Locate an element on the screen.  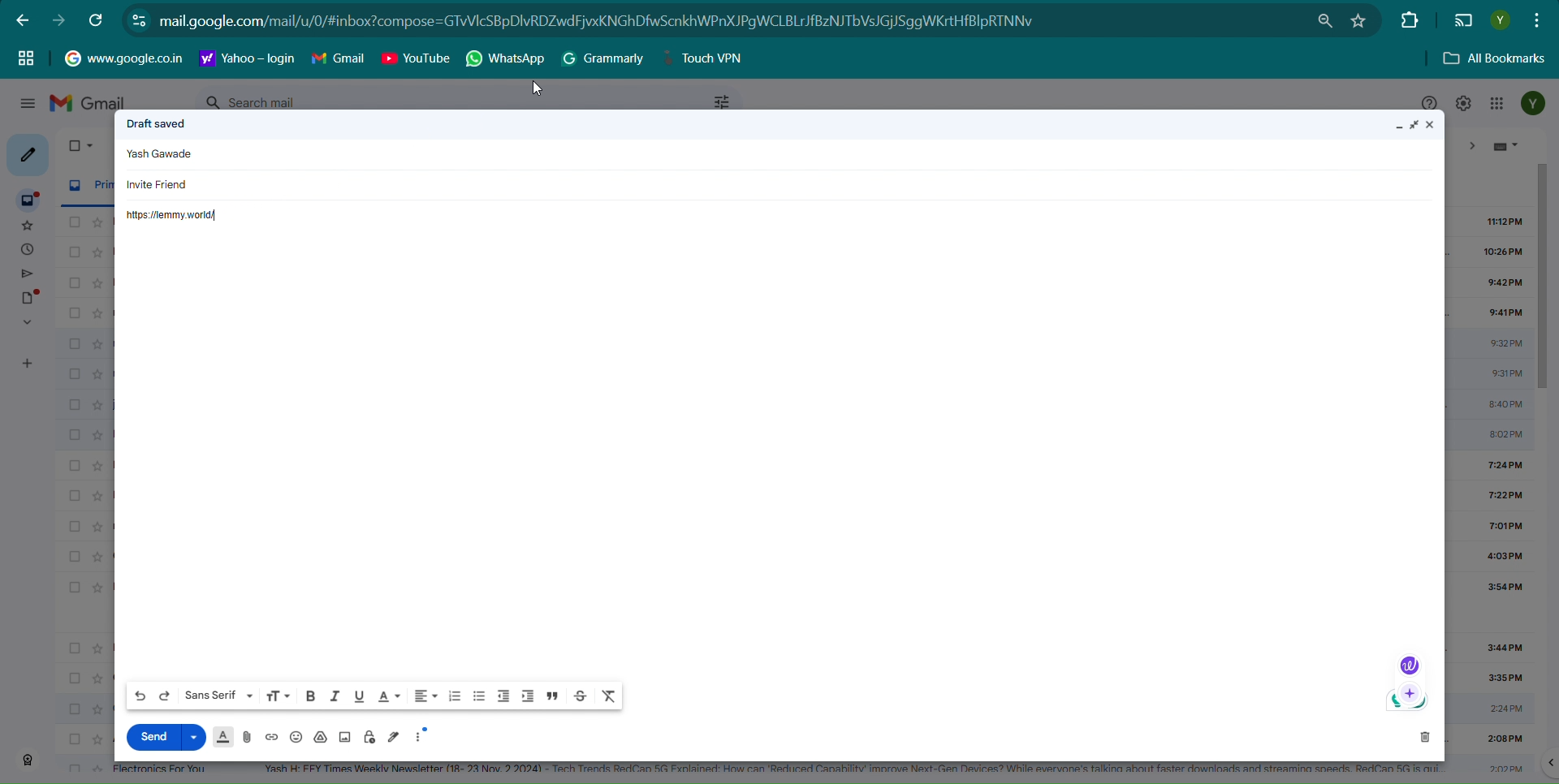
Number List is located at coordinates (455, 696).